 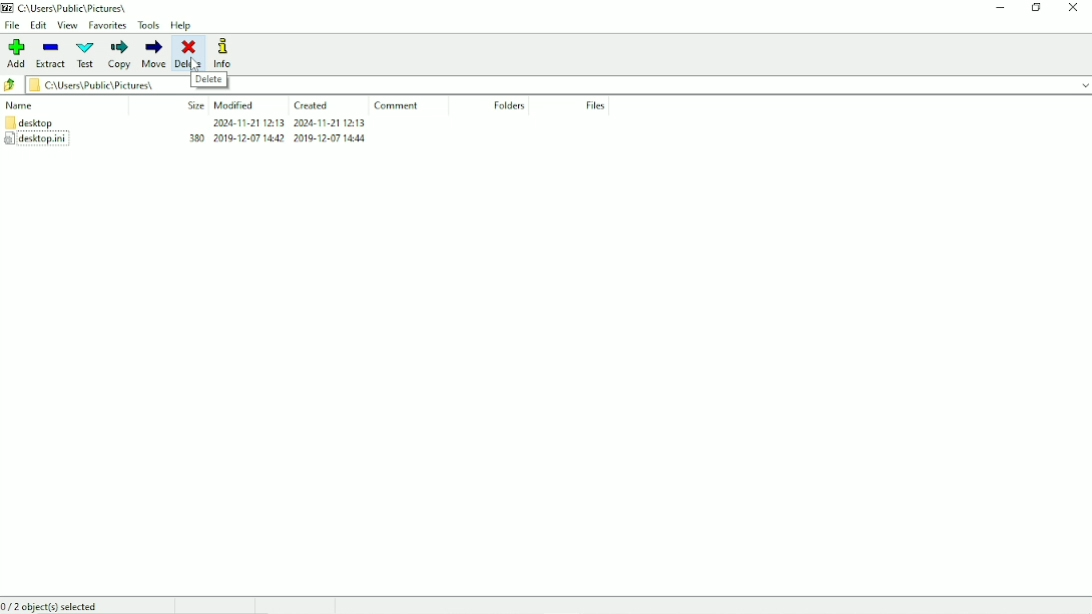 What do you see at coordinates (86, 55) in the screenshot?
I see `Test` at bounding box center [86, 55].